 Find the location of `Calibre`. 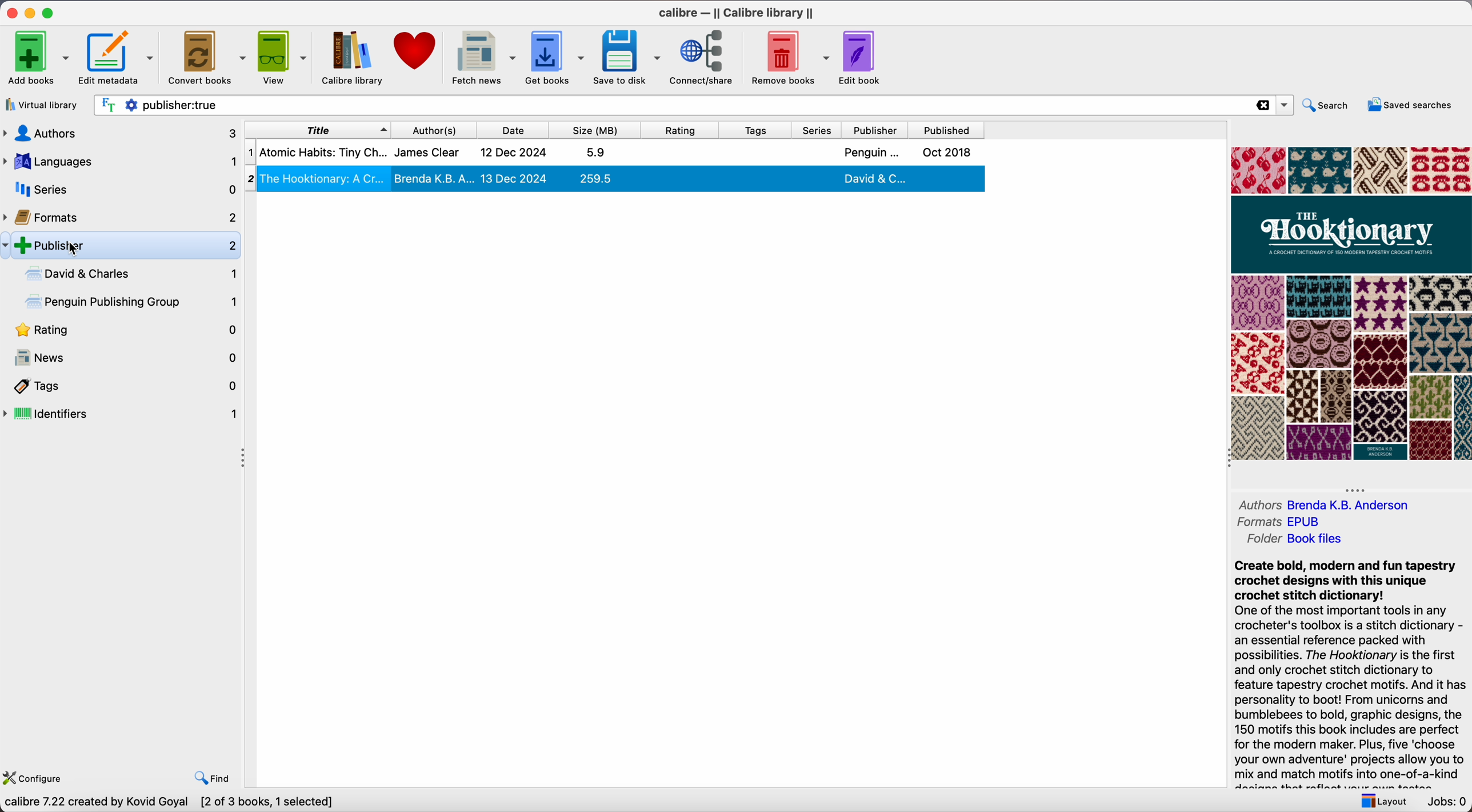

Calibre is located at coordinates (738, 13).